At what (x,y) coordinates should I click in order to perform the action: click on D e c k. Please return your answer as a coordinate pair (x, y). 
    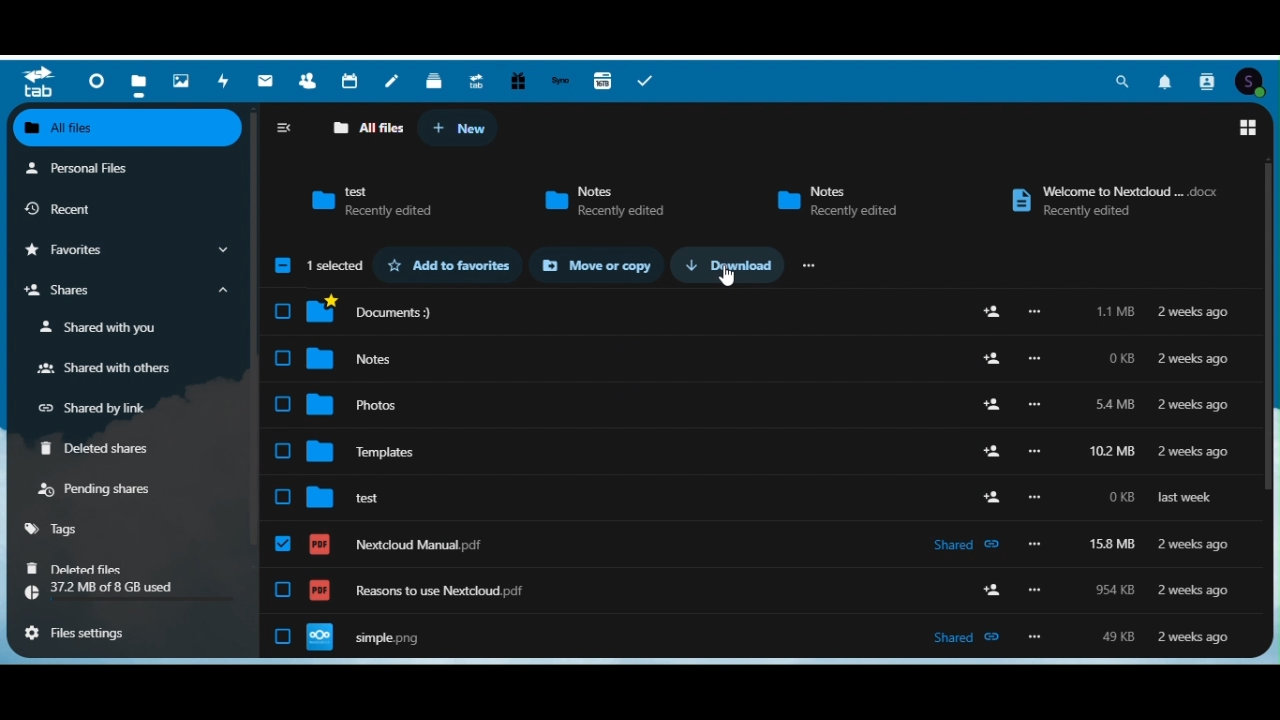
    Looking at the image, I should click on (433, 79).